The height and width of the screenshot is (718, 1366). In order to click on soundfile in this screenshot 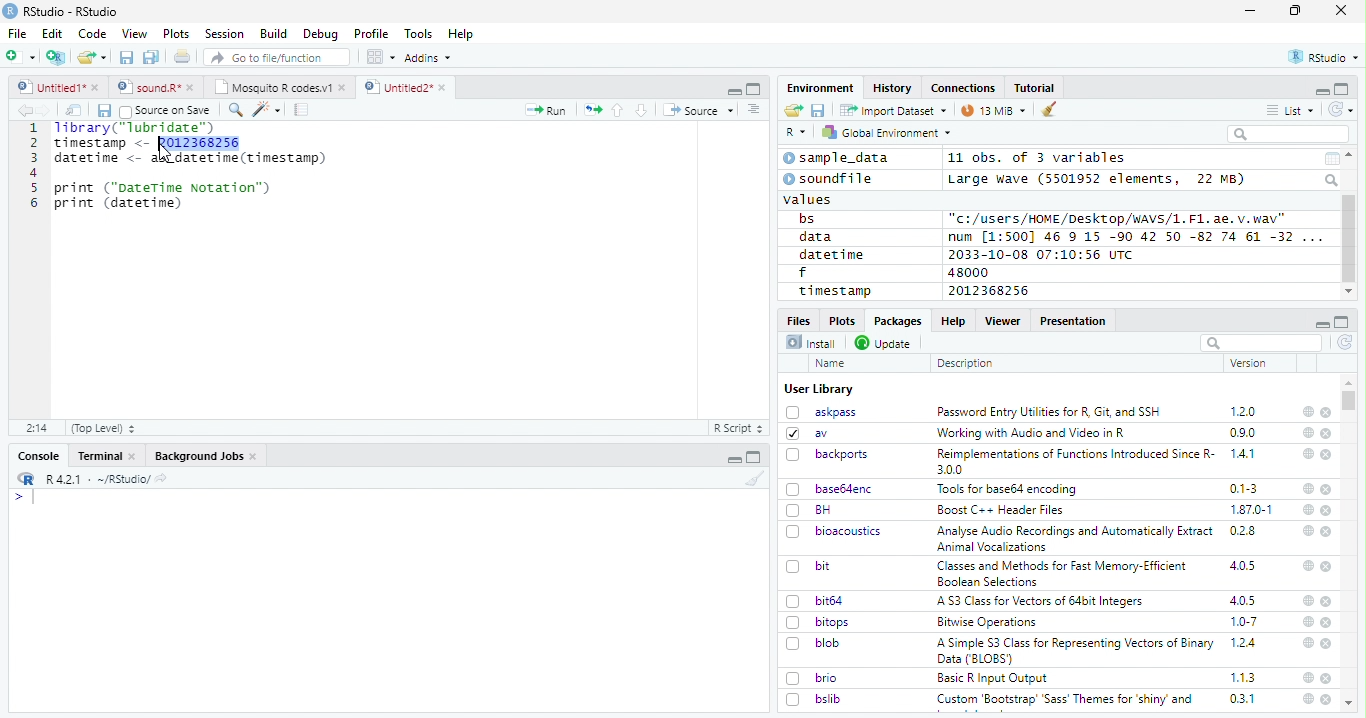, I will do `click(829, 179)`.